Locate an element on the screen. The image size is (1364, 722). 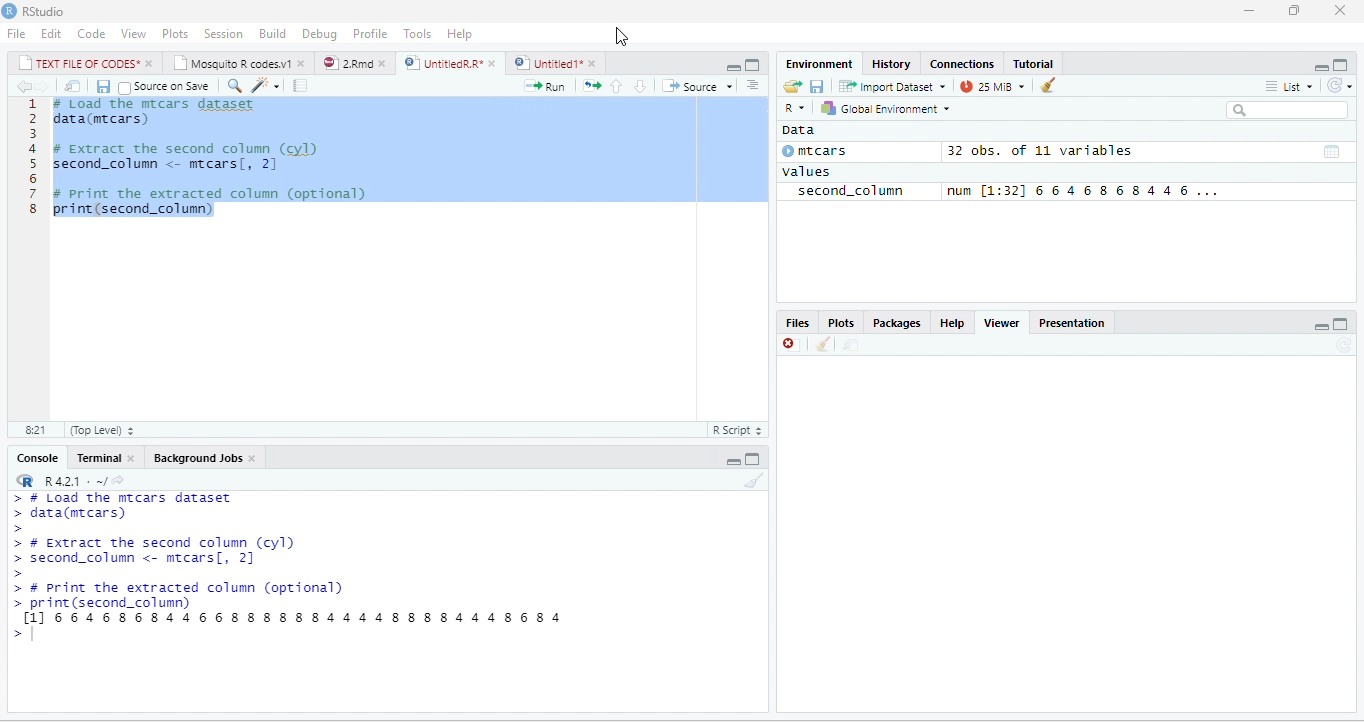
search is located at coordinates (1288, 109).